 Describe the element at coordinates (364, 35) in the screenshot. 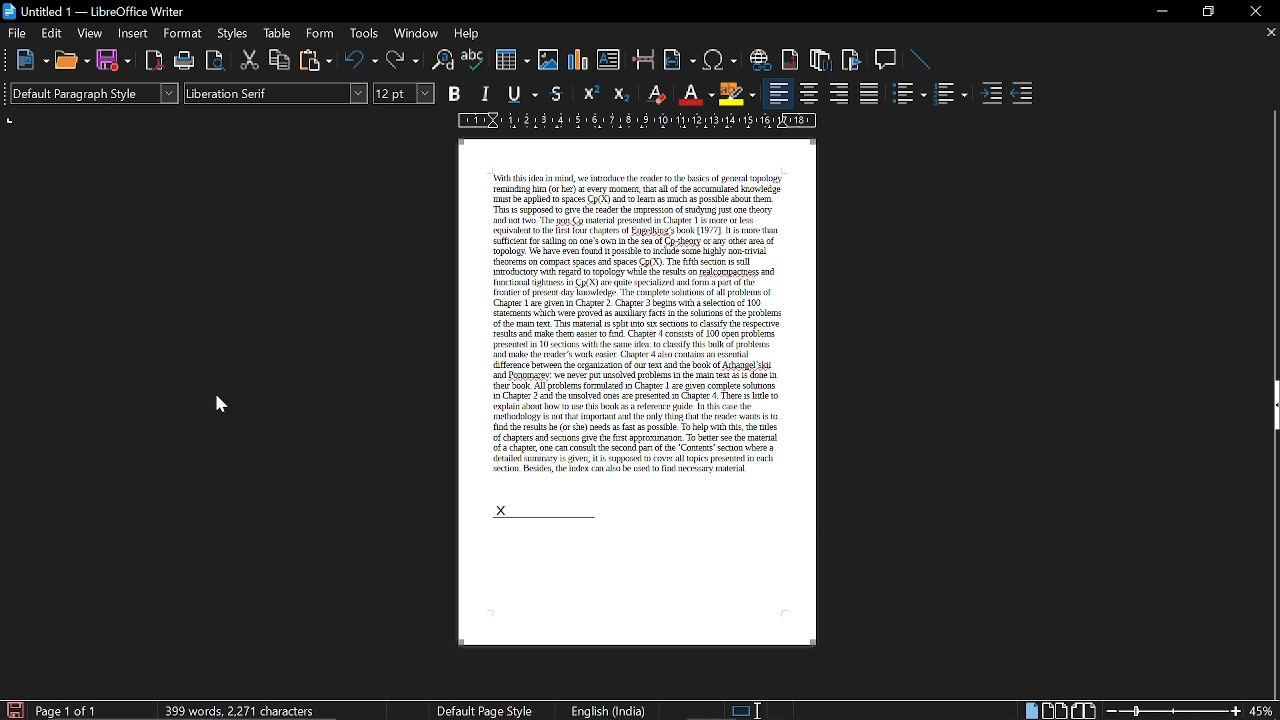

I see `tools` at that location.